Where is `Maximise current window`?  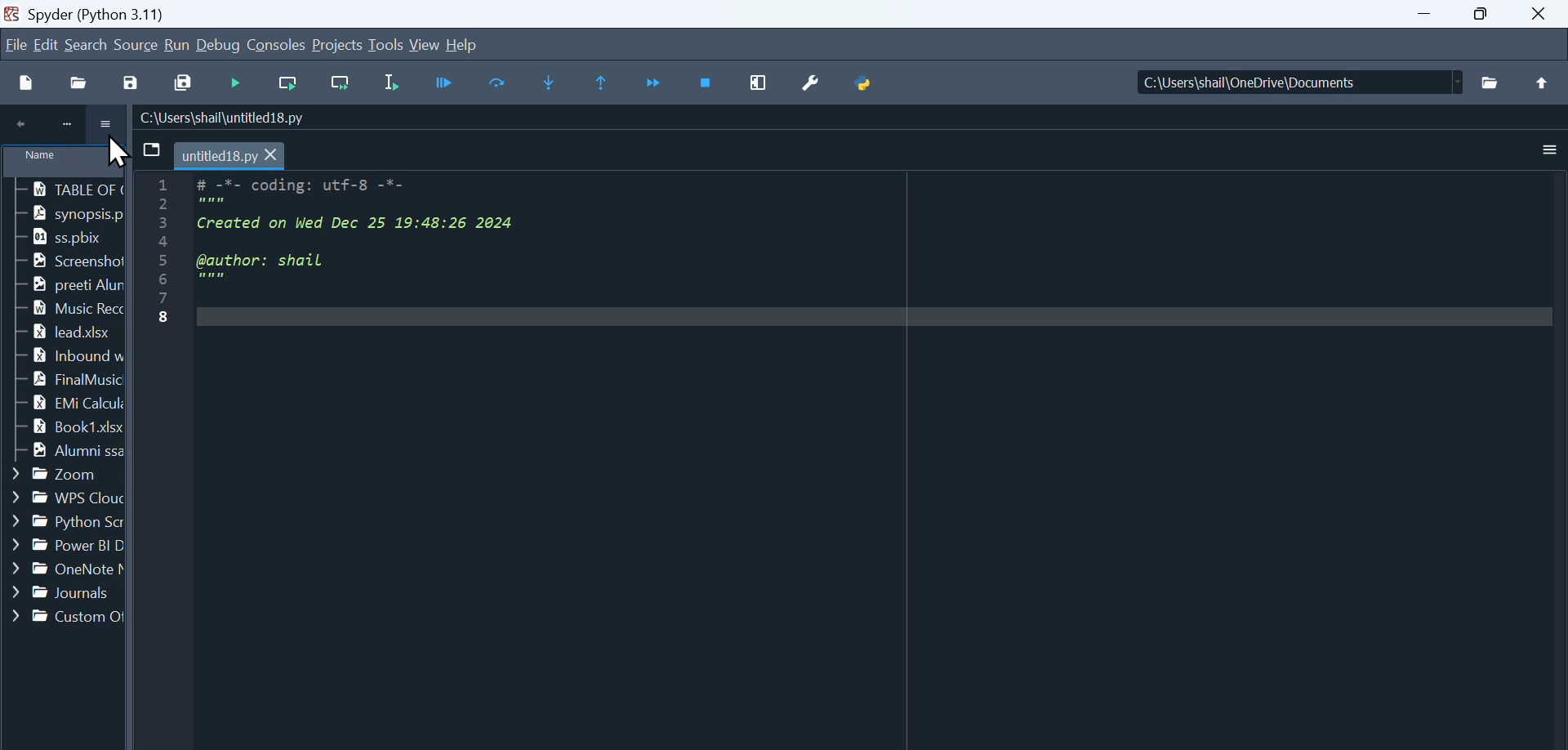
Maximise current window is located at coordinates (760, 83).